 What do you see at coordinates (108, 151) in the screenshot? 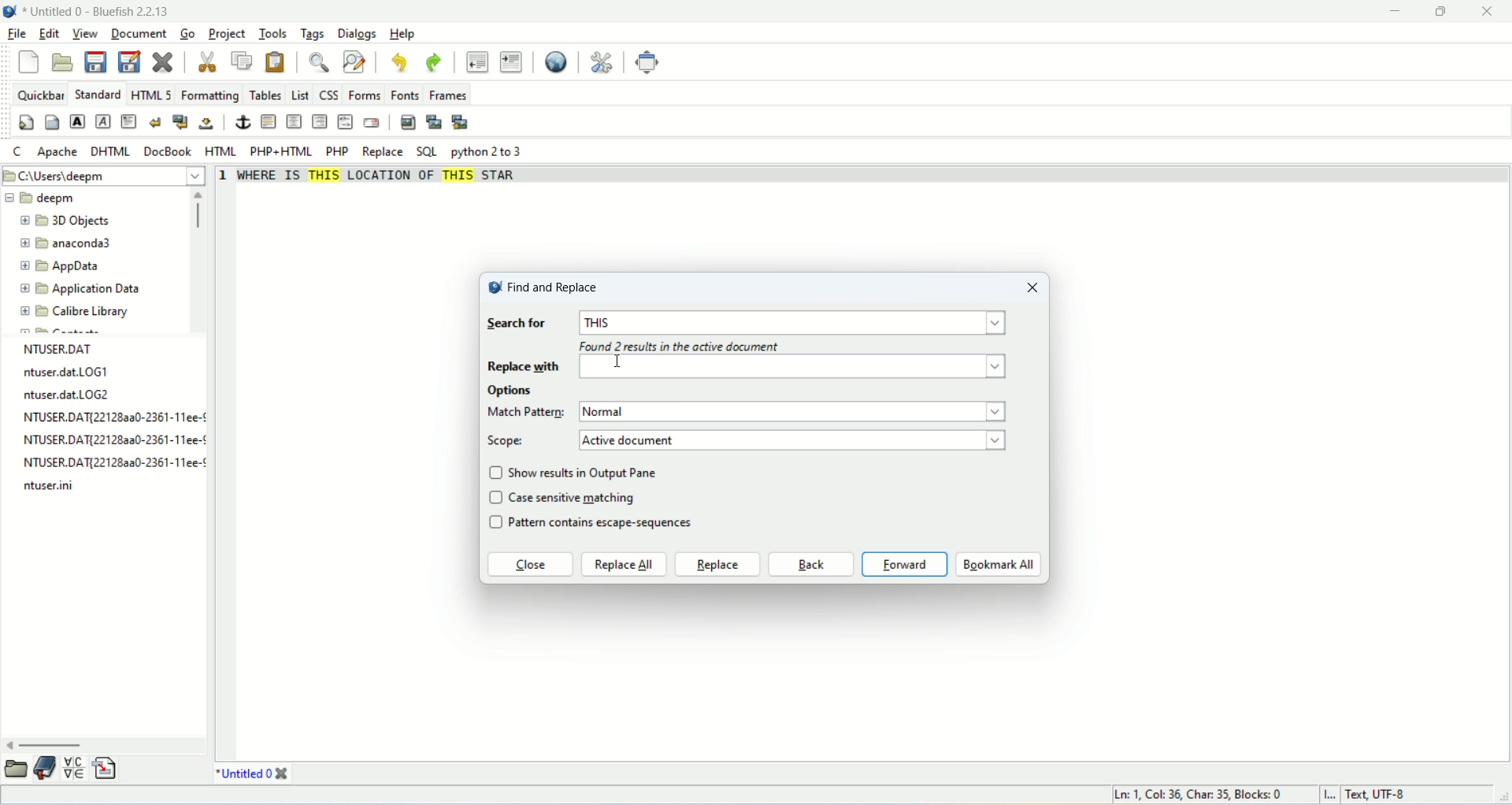
I see `DHTML` at bounding box center [108, 151].